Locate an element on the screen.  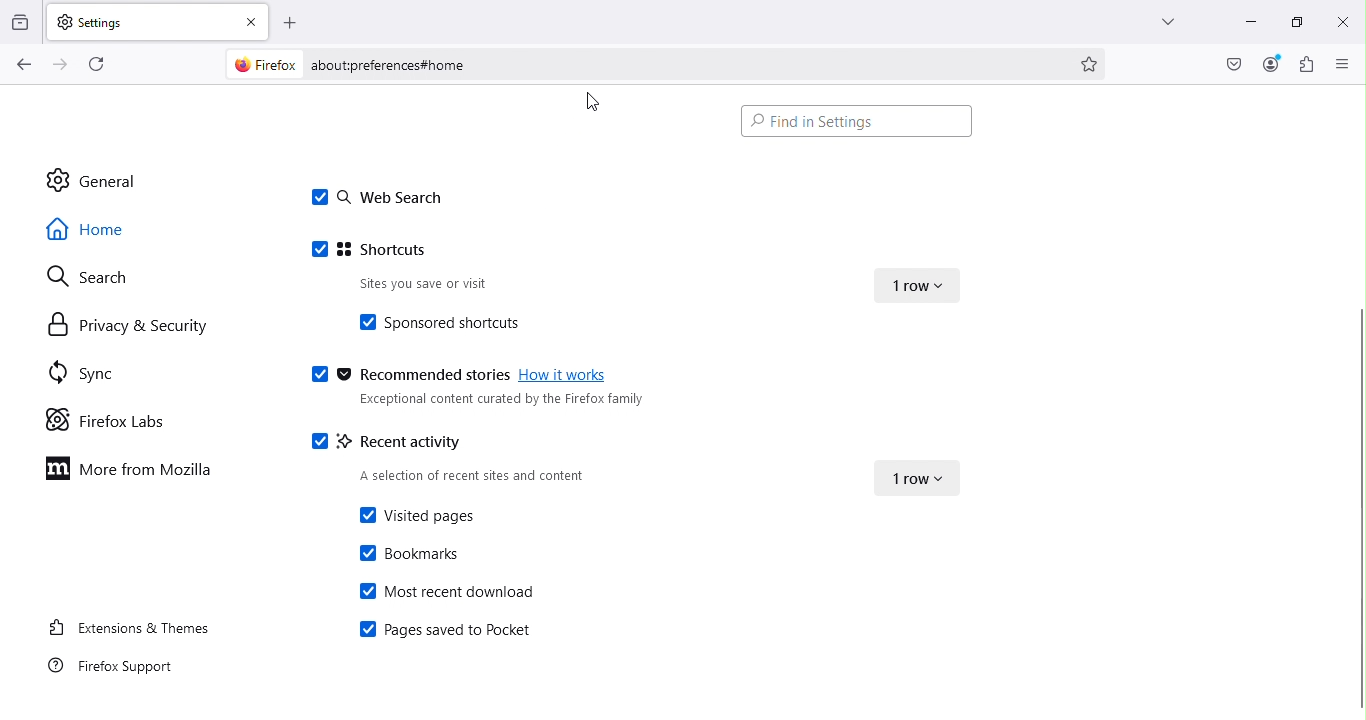
Minimize is located at coordinates (1241, 19).